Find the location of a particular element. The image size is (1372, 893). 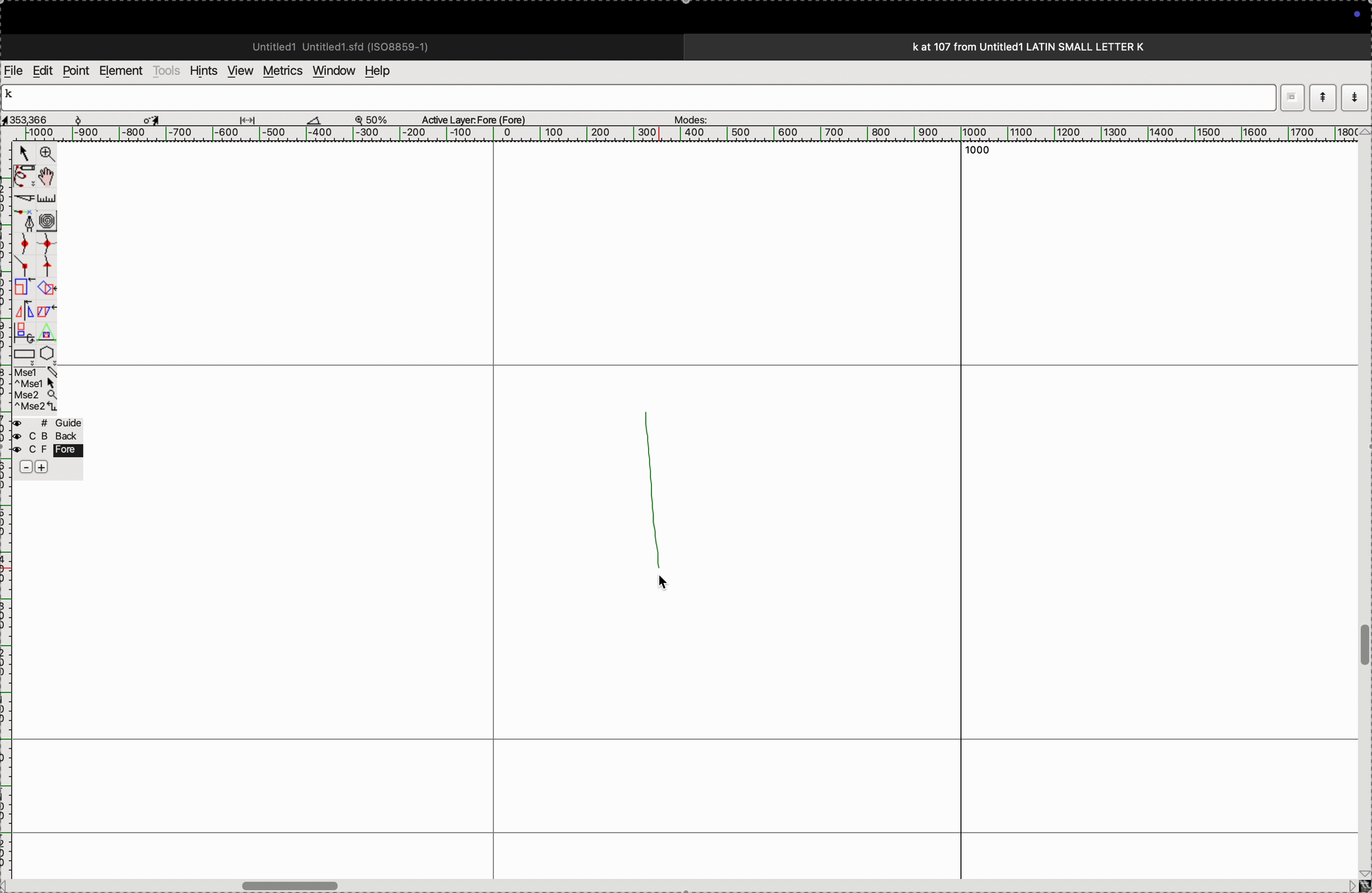

zoom is located at coordinates (45, 155).